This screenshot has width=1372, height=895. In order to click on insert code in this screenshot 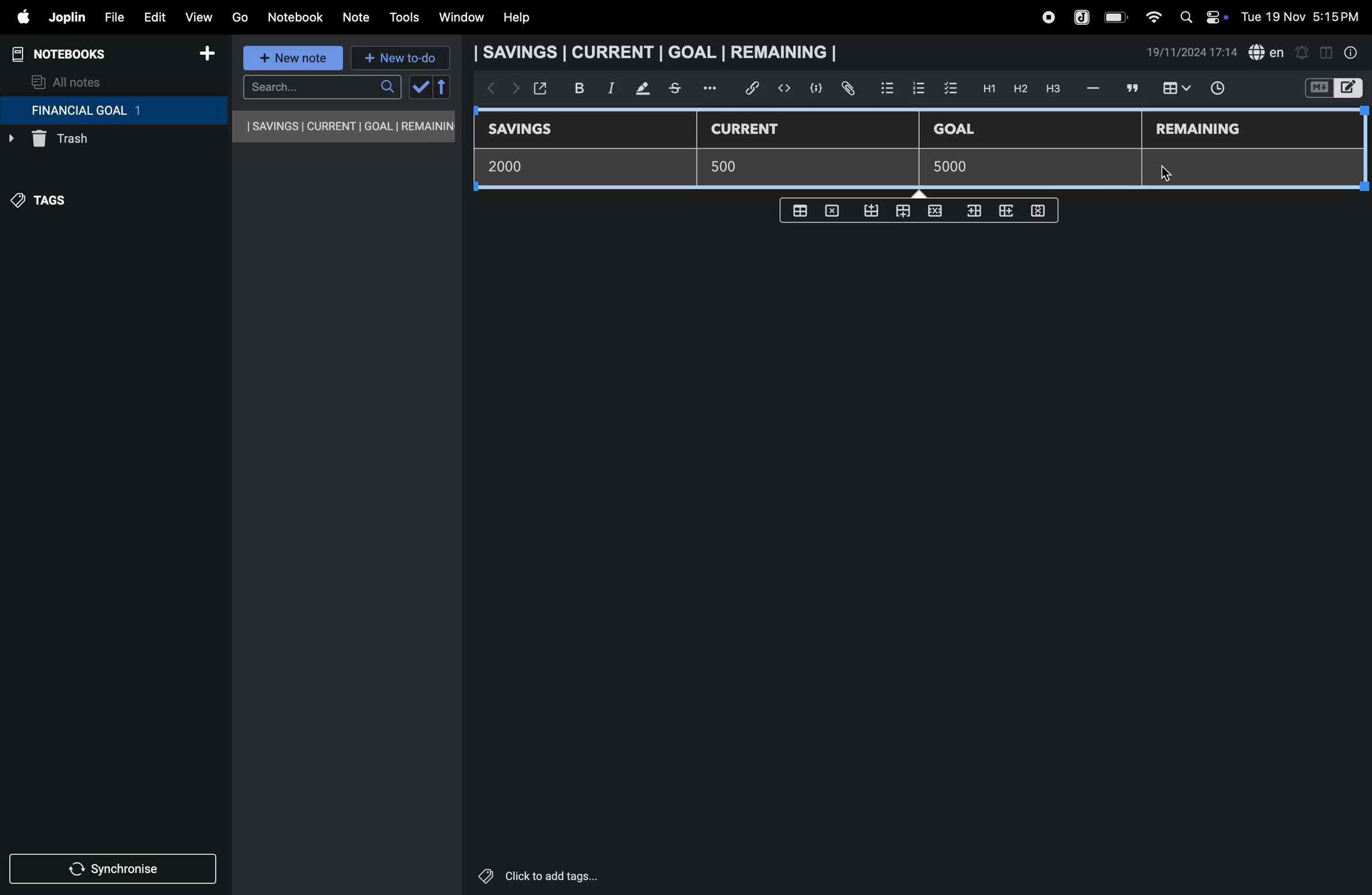, I will do `click(785, 88)`.